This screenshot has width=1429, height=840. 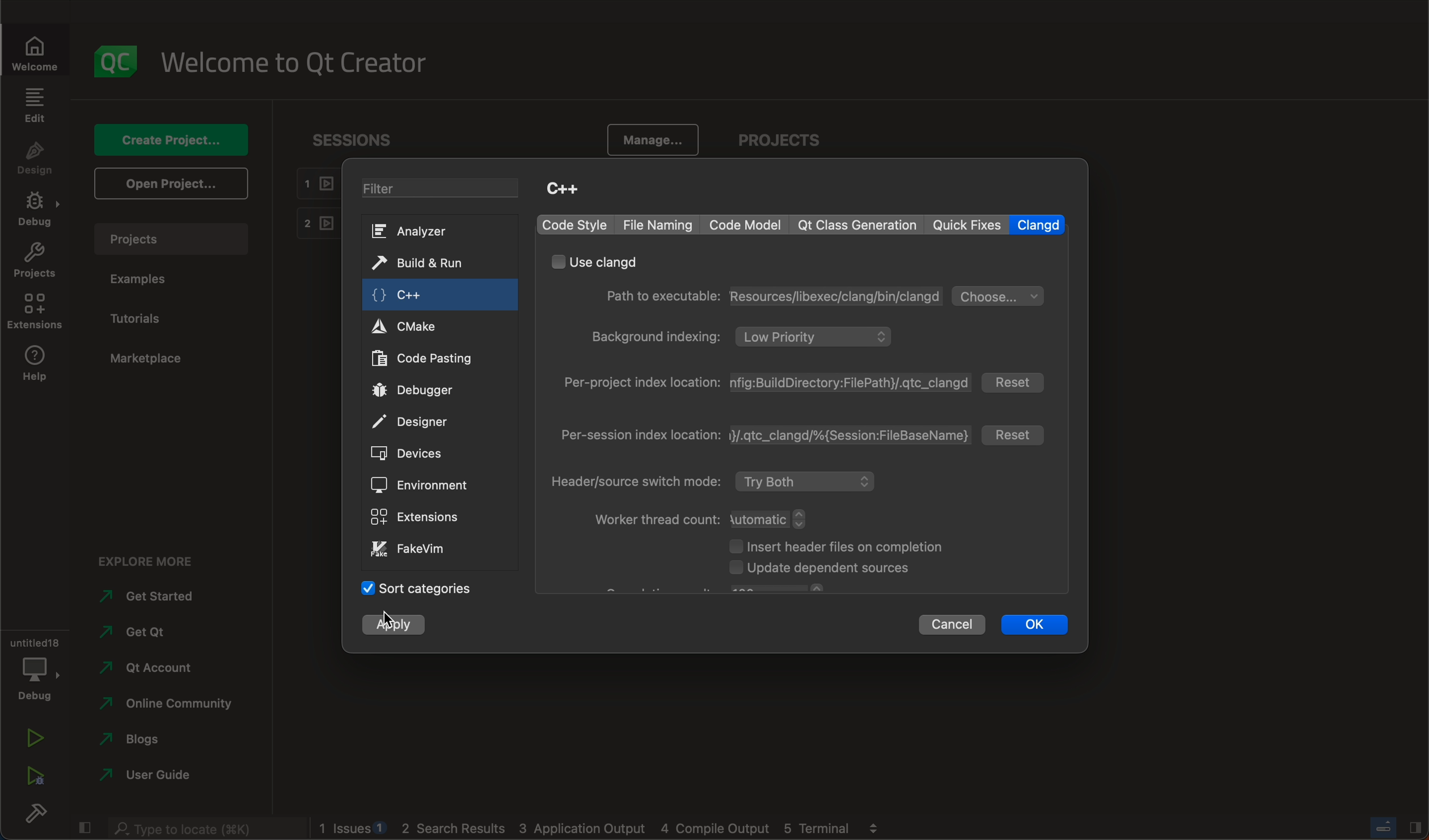 What do you see at coordinates (613, 828) in the screenshot?
I see `logs` at bounding box center [613, 828].